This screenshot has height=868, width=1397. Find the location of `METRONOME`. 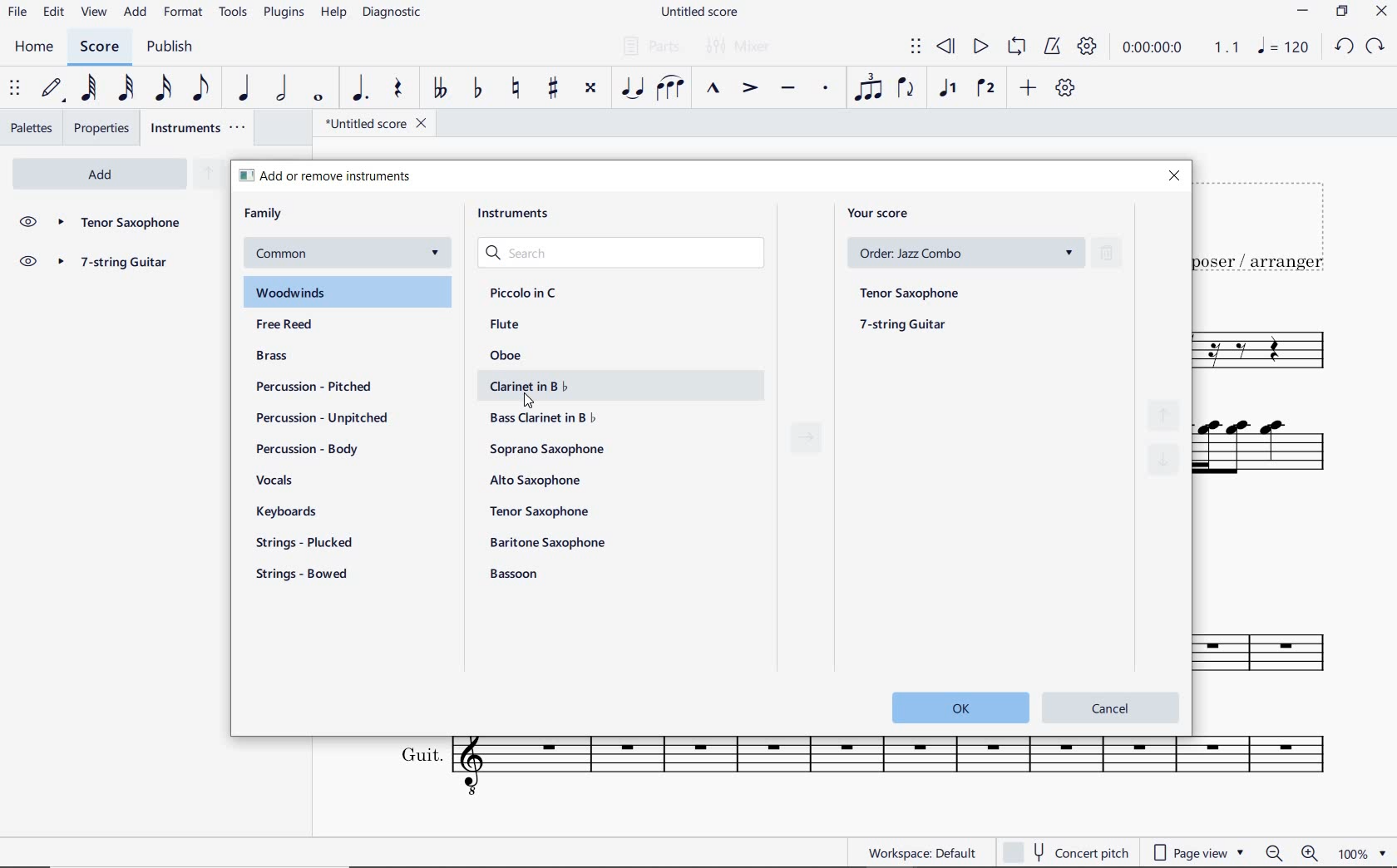

METRONOME is located at coordinates (1051, 47).